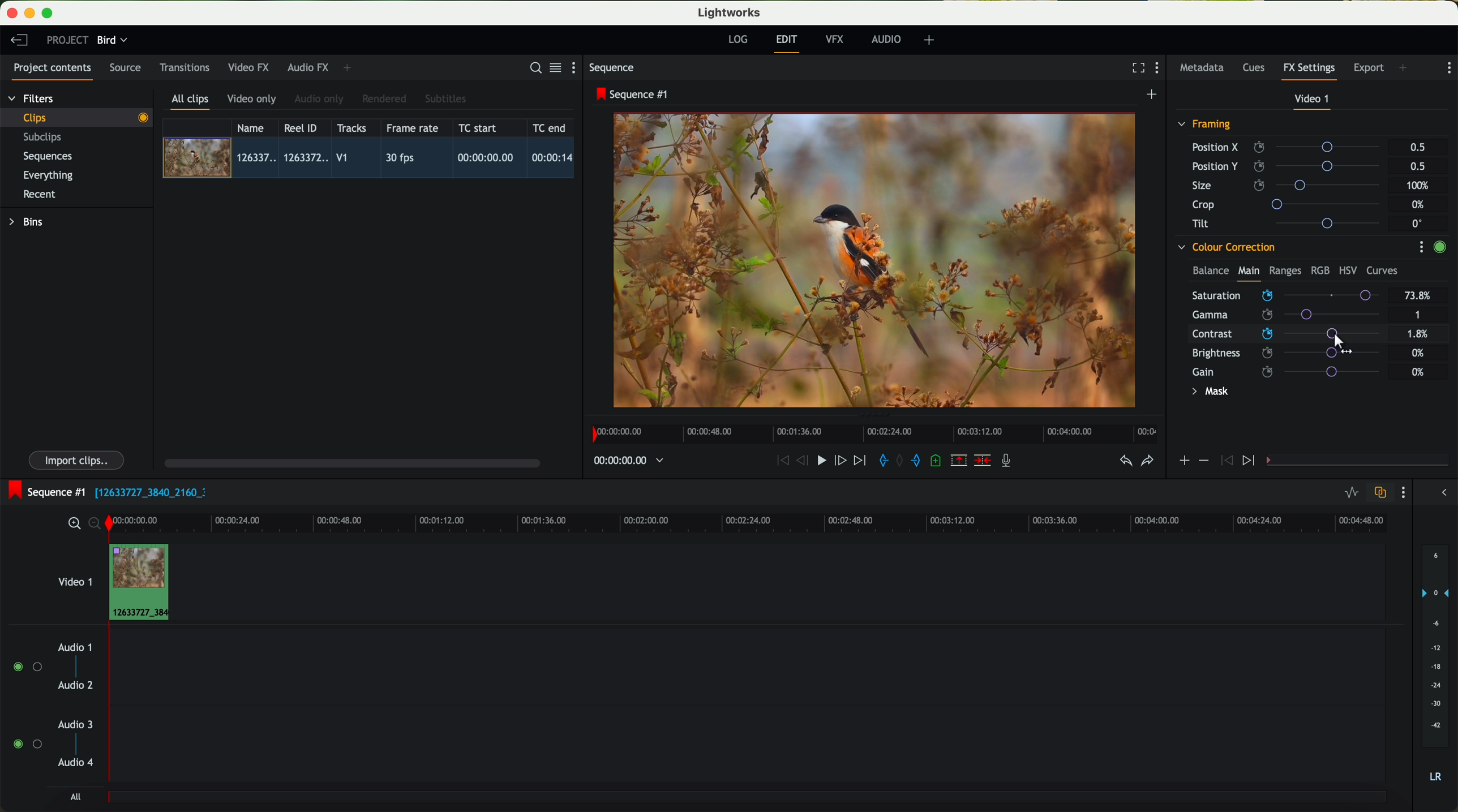  I want to click on all, so click(75, 797).